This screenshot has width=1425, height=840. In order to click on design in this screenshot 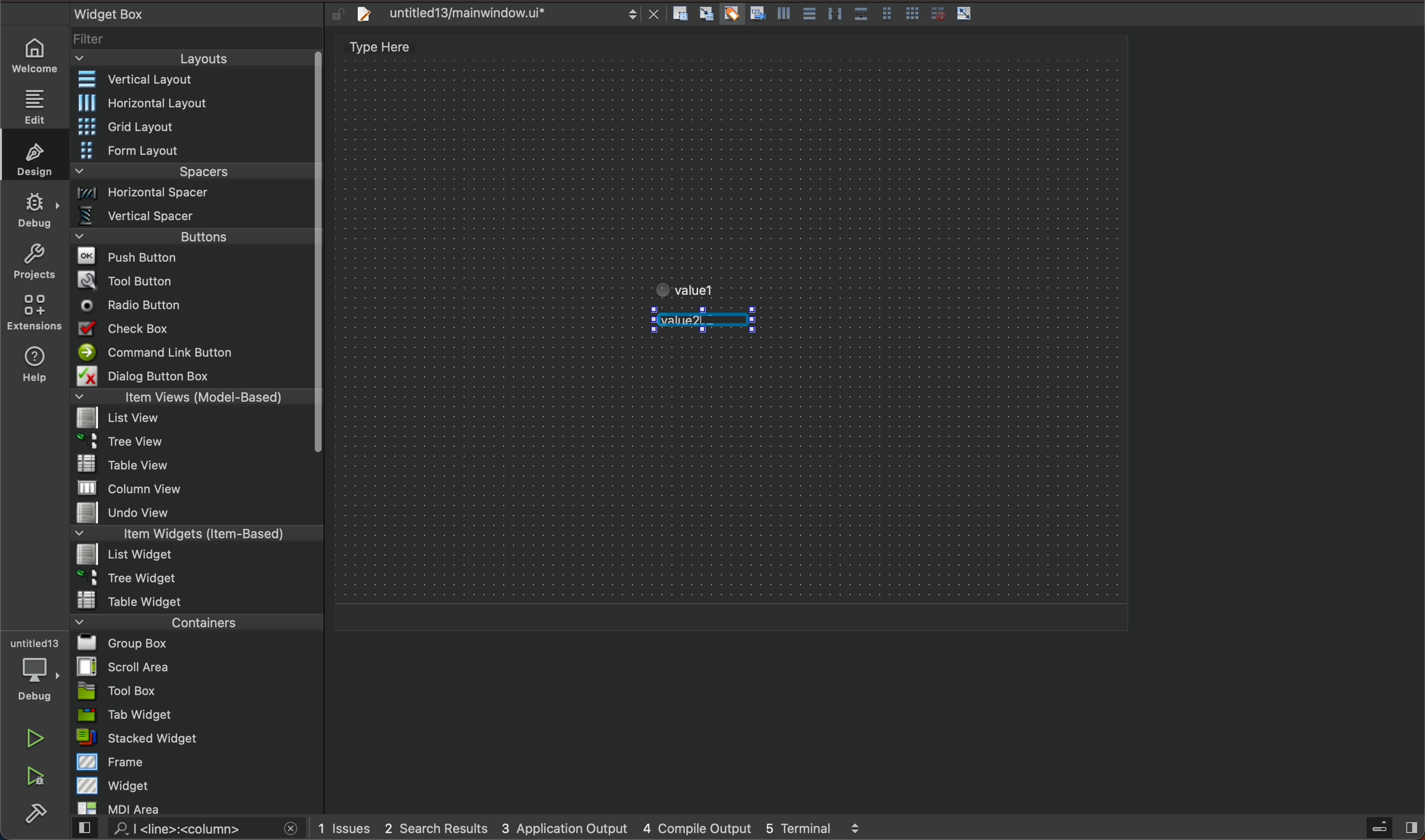, I will do `click(31, 155)`.